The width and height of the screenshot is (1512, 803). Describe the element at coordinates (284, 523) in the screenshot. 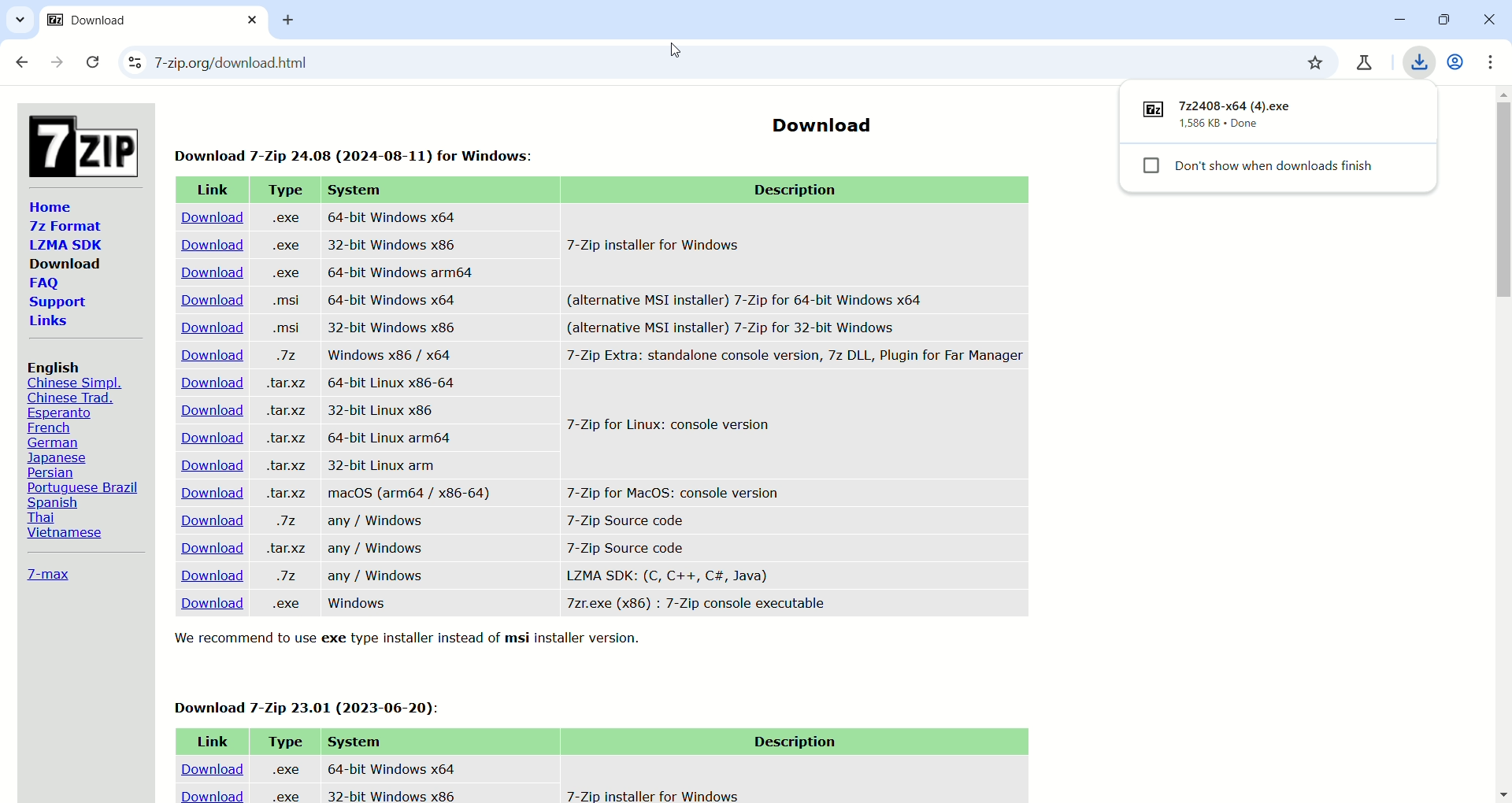

I see `Jz` at that location.